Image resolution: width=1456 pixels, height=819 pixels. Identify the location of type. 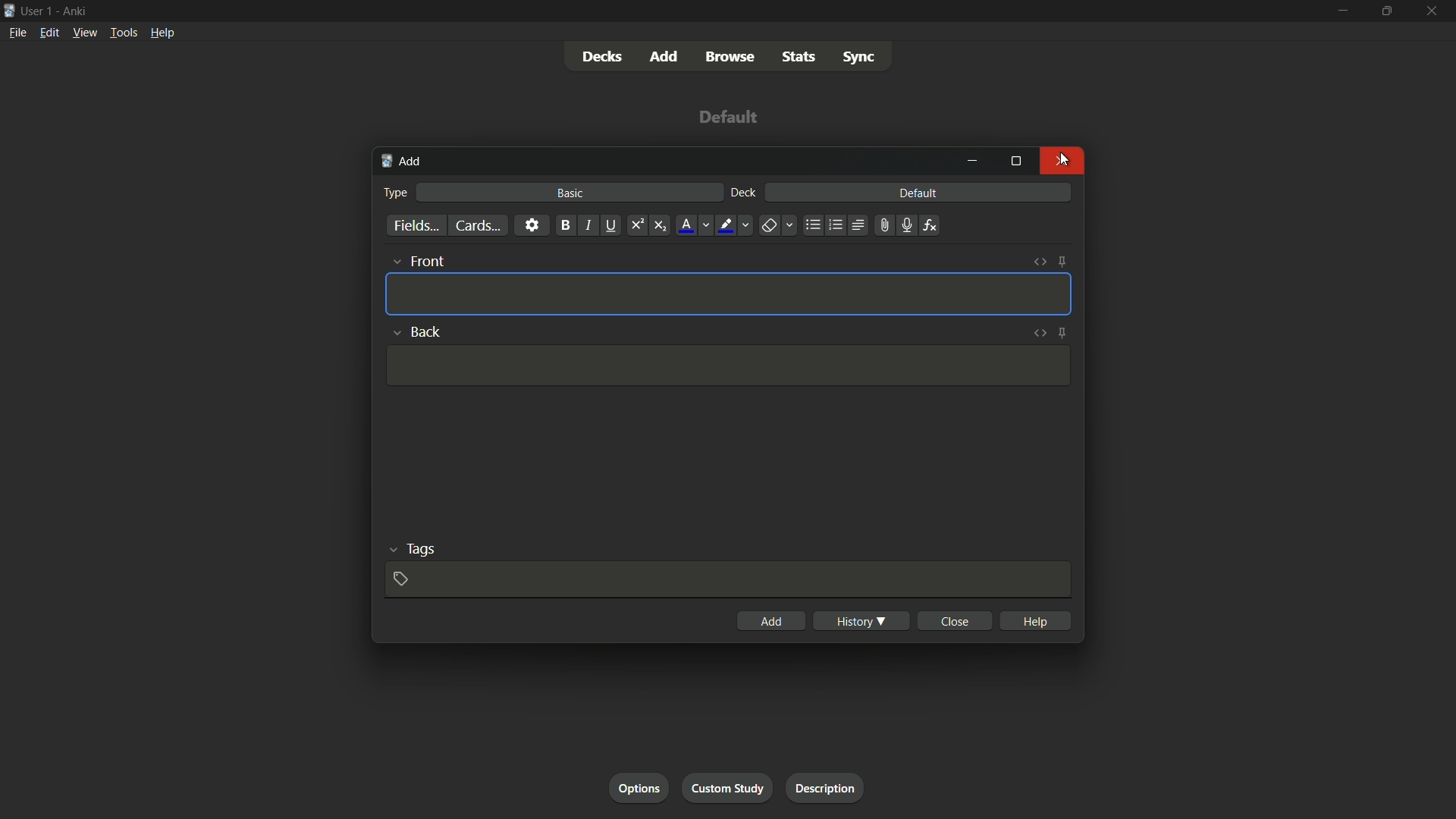
(396, 192).